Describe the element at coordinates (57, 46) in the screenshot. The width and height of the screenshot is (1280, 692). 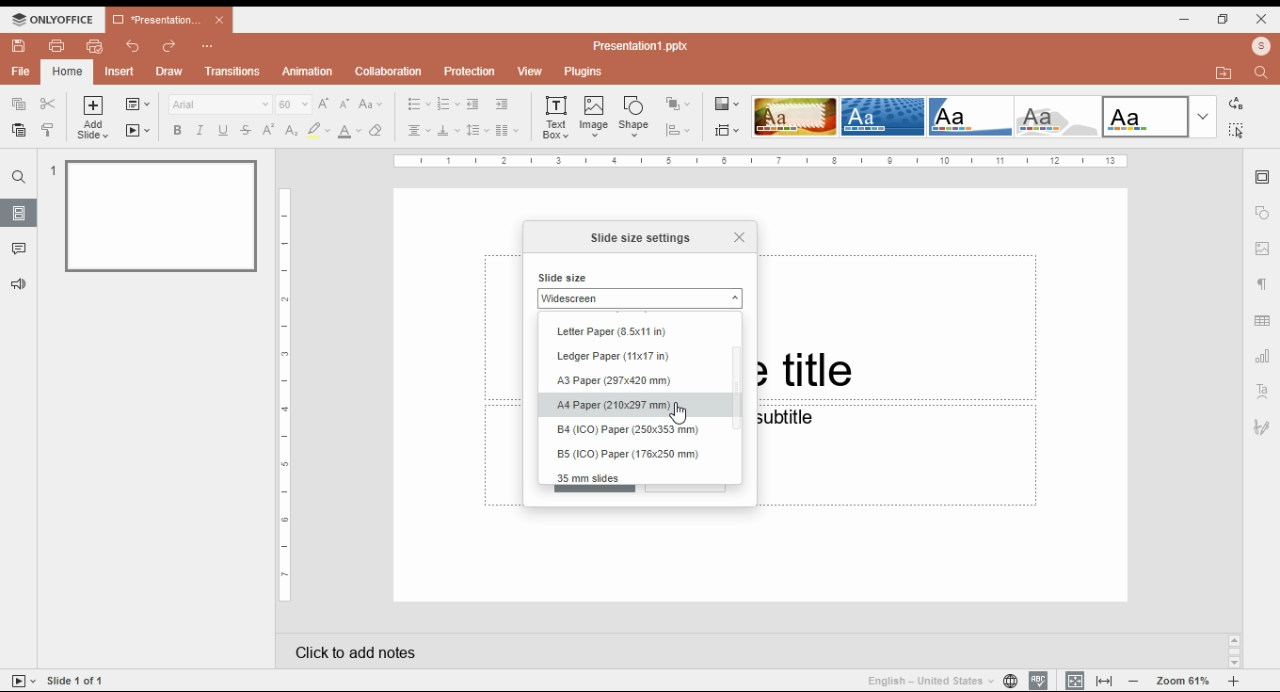
I see `print file` at that location.